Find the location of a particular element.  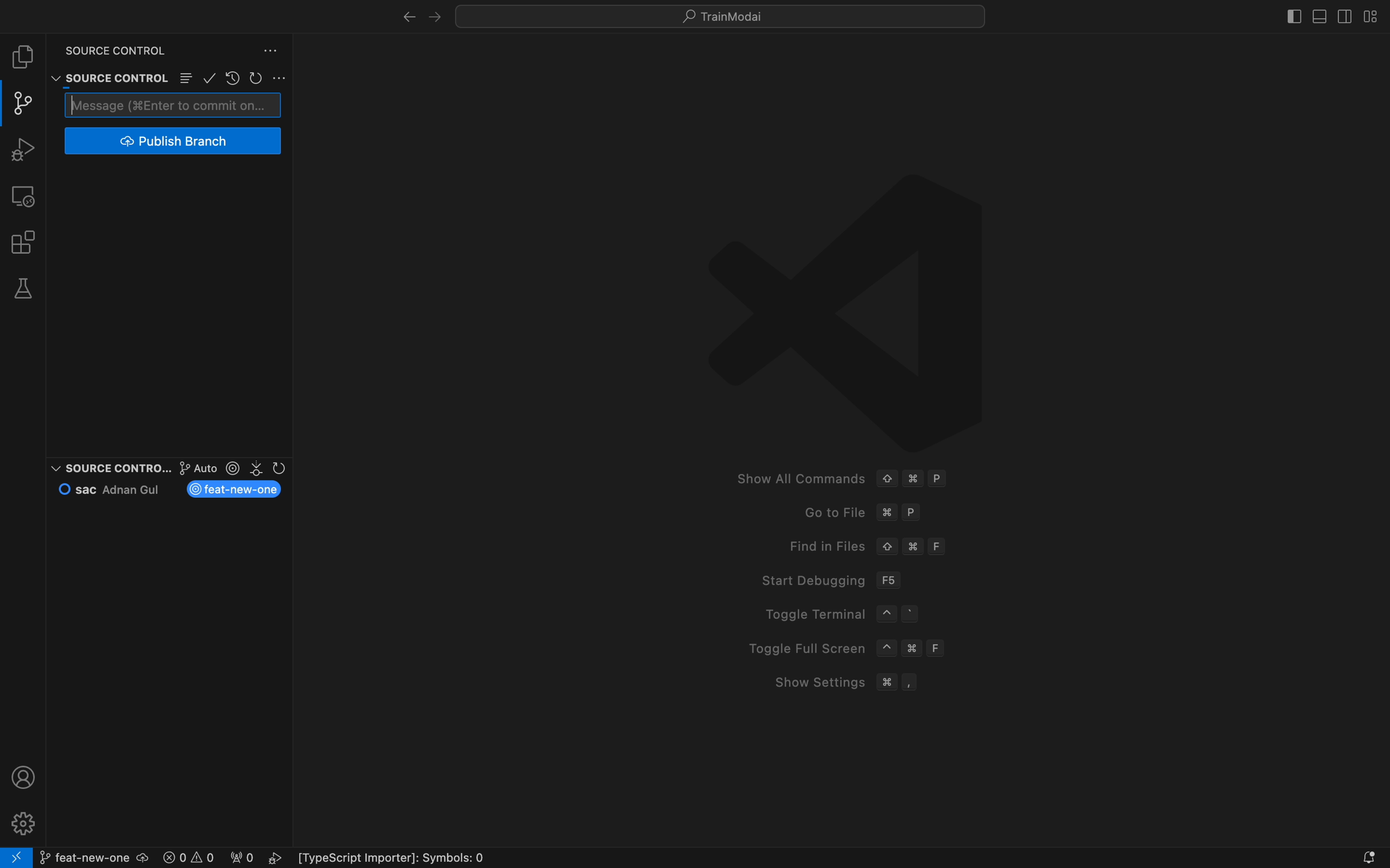

extensions is located at coordinates (25, 242).